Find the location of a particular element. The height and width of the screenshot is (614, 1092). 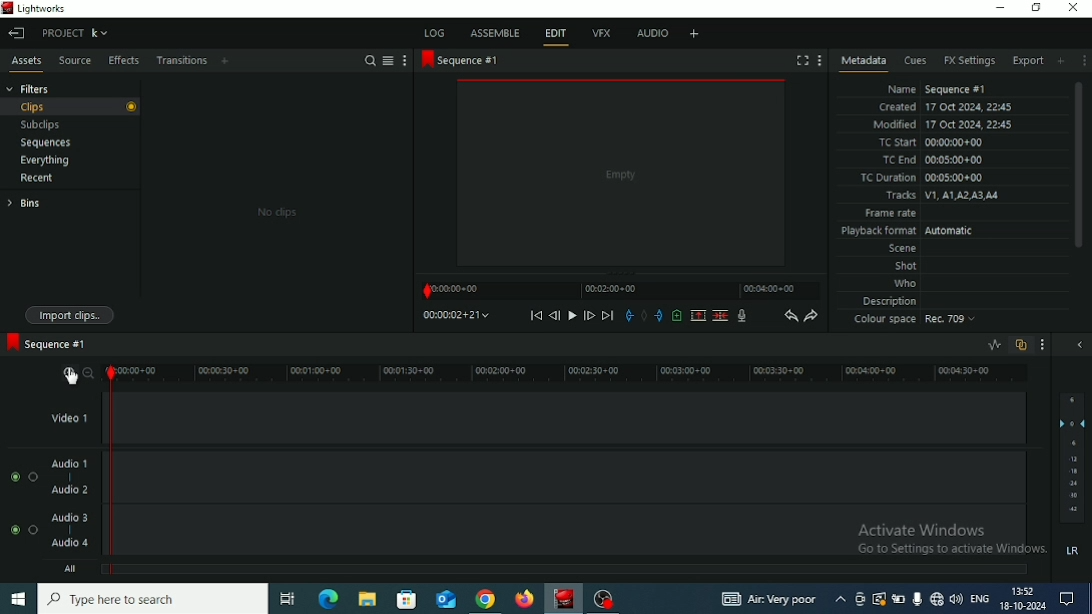

Audio 2 is located at coordinates (69, 490).